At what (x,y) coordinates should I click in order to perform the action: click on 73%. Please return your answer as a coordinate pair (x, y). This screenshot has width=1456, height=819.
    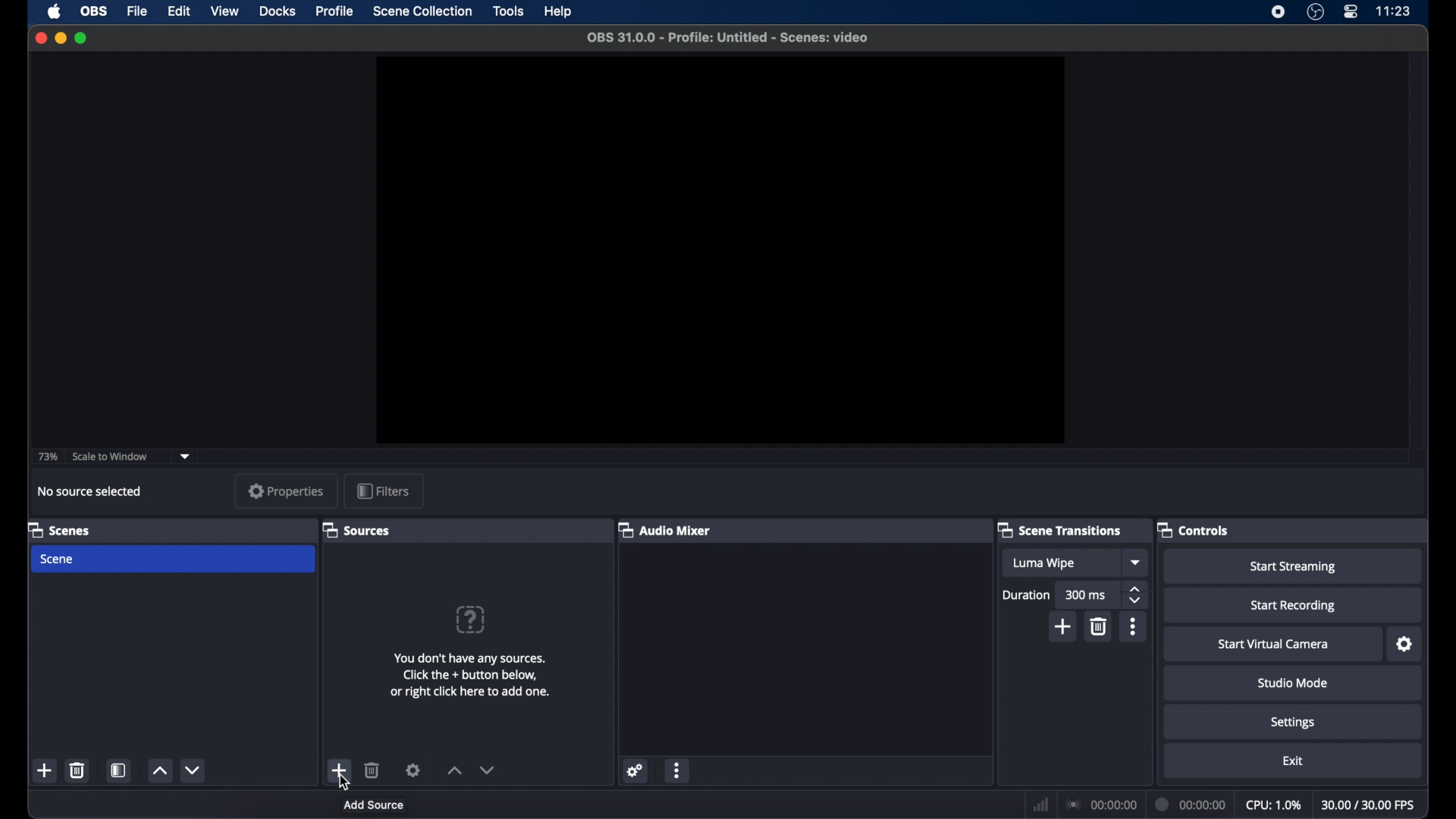
    Looking at the image, I should click on (47, 457).